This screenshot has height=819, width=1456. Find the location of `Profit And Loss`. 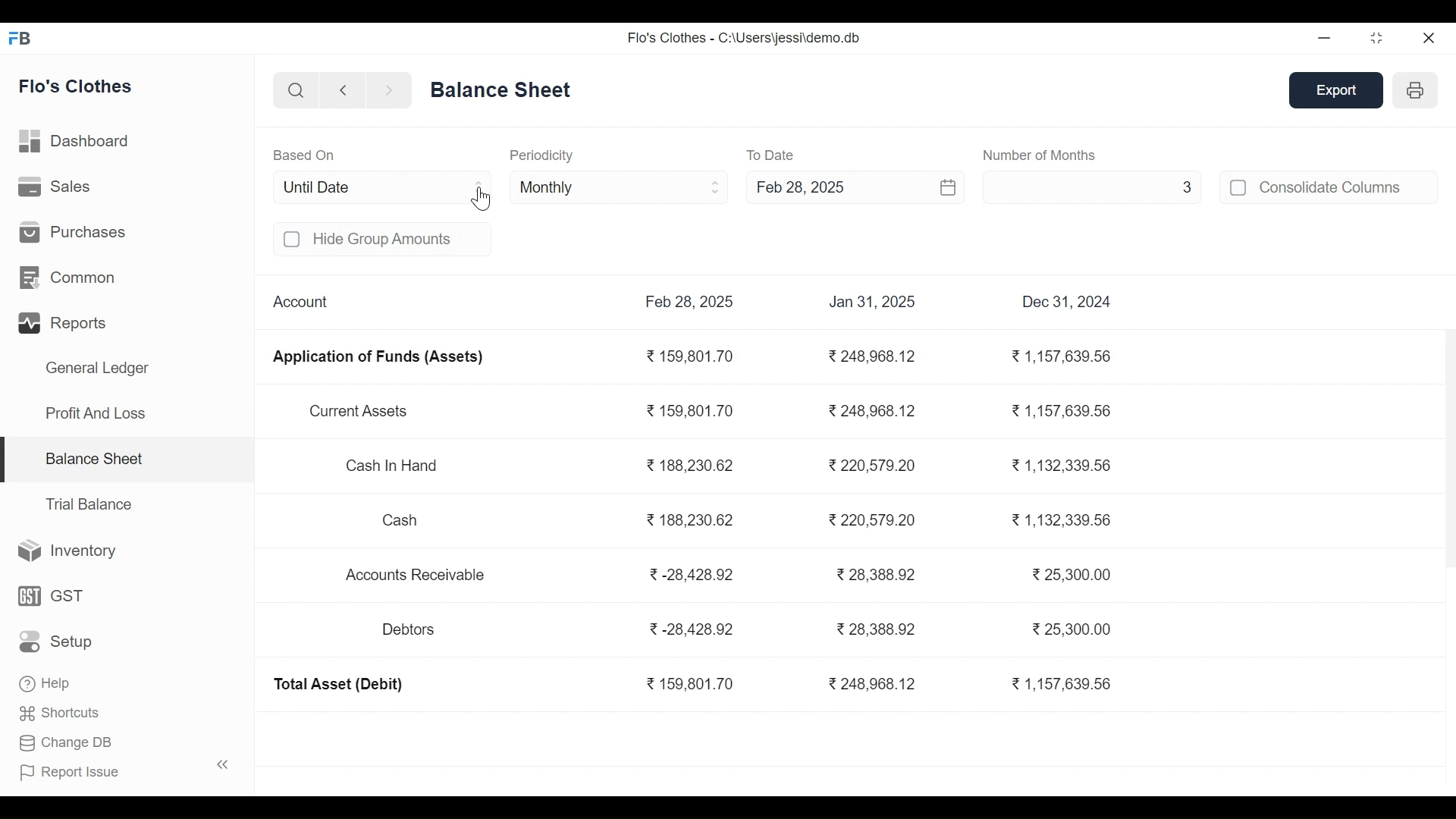

Profit And Loss is located at coordinates (95, 413).